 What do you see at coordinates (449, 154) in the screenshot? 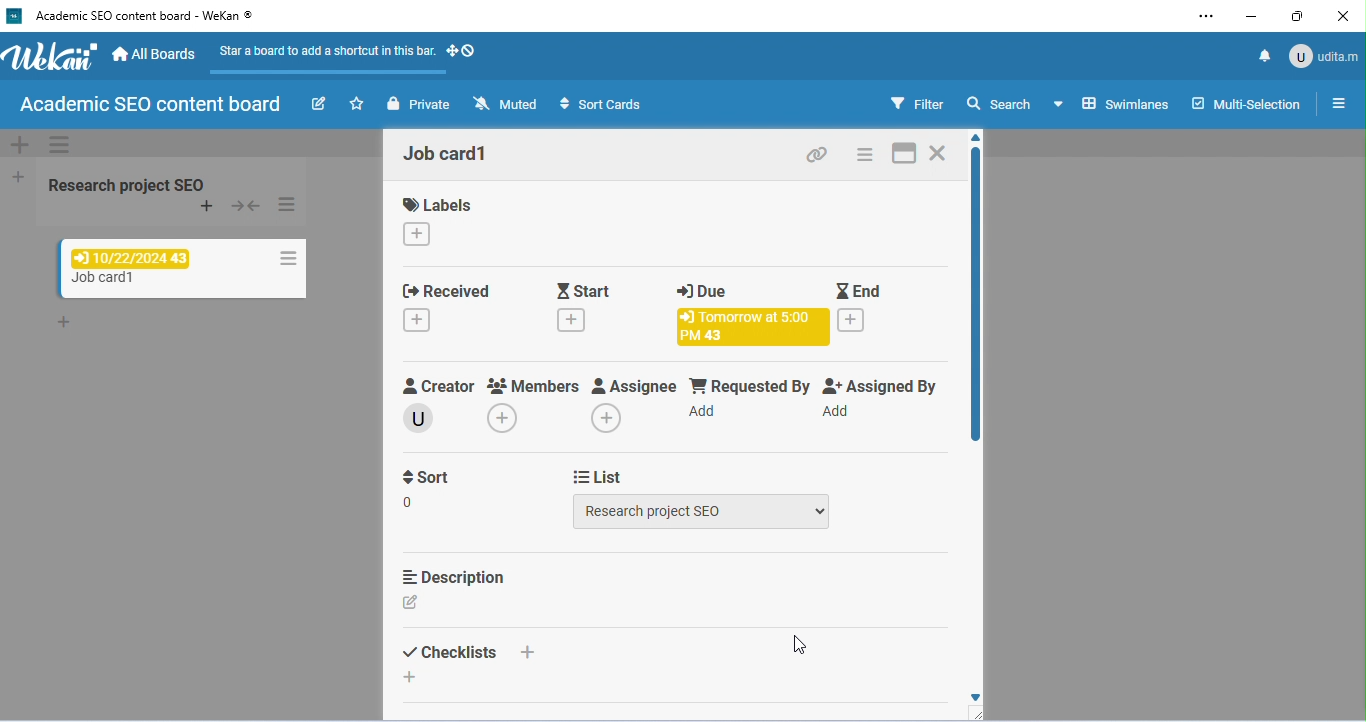
I see `card name` at bounding box center [449, 154].